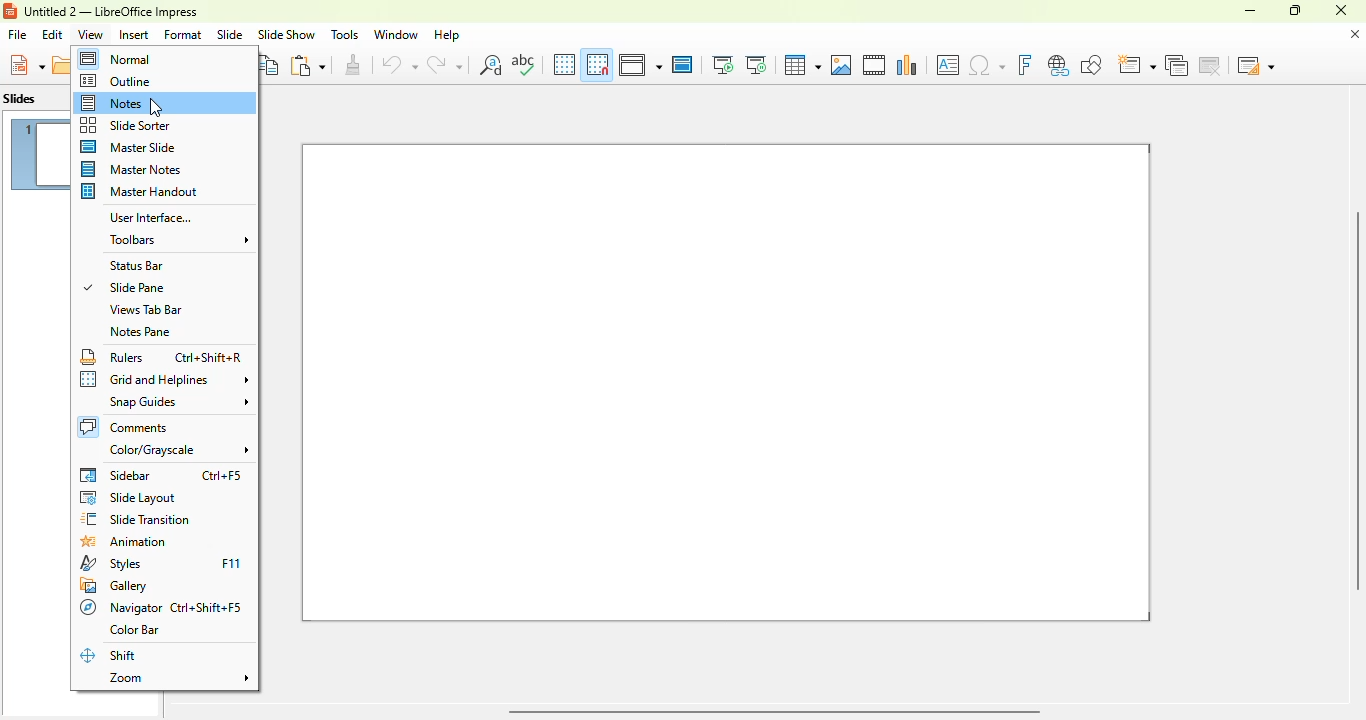 This screenshot has width=1366, height=720. Describe the element at coordinates (178, 450) in the screenshot. I see `color/grayscale` at that location.